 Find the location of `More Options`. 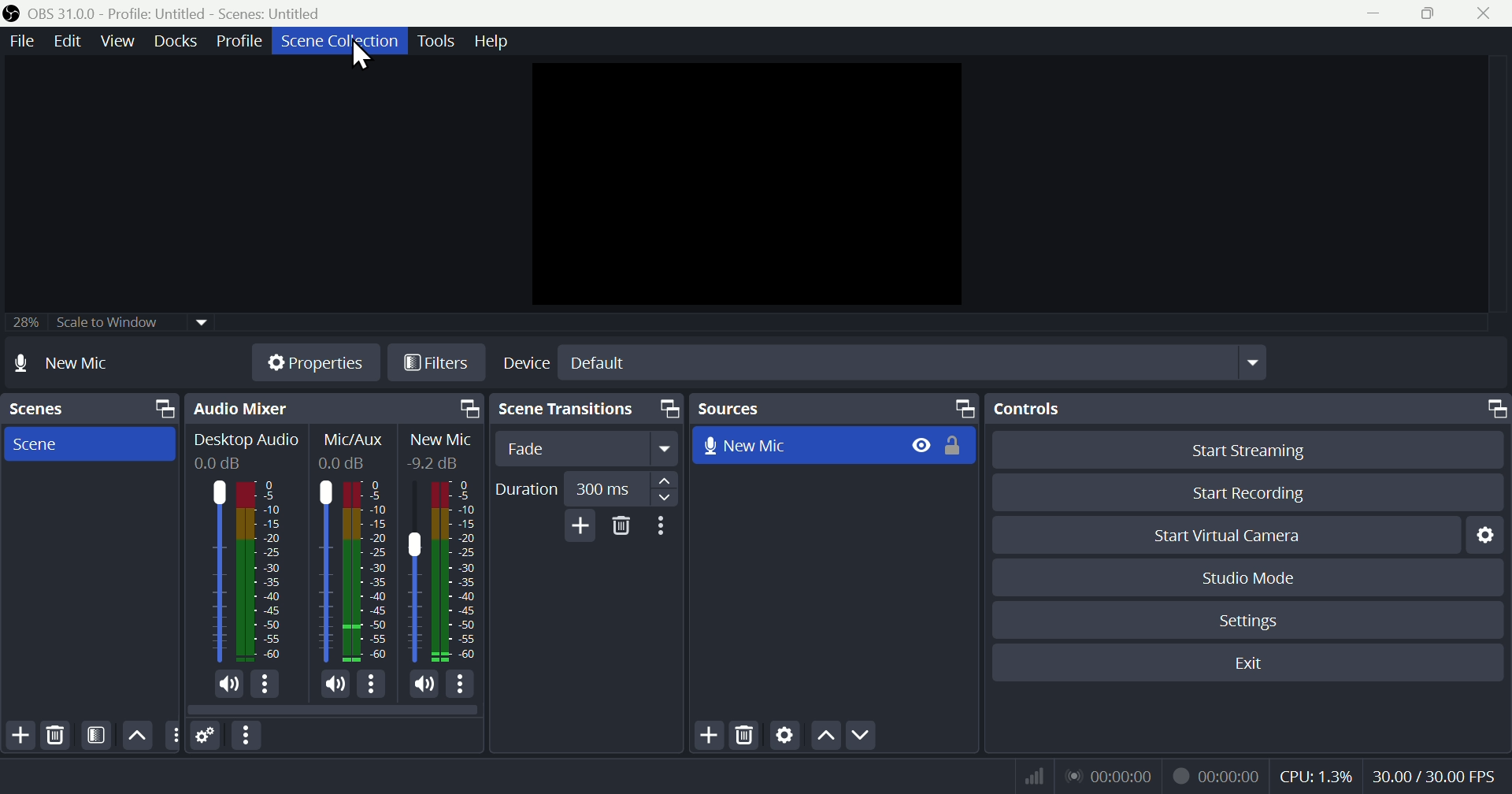

More Options is located at coordinates (464, 685).